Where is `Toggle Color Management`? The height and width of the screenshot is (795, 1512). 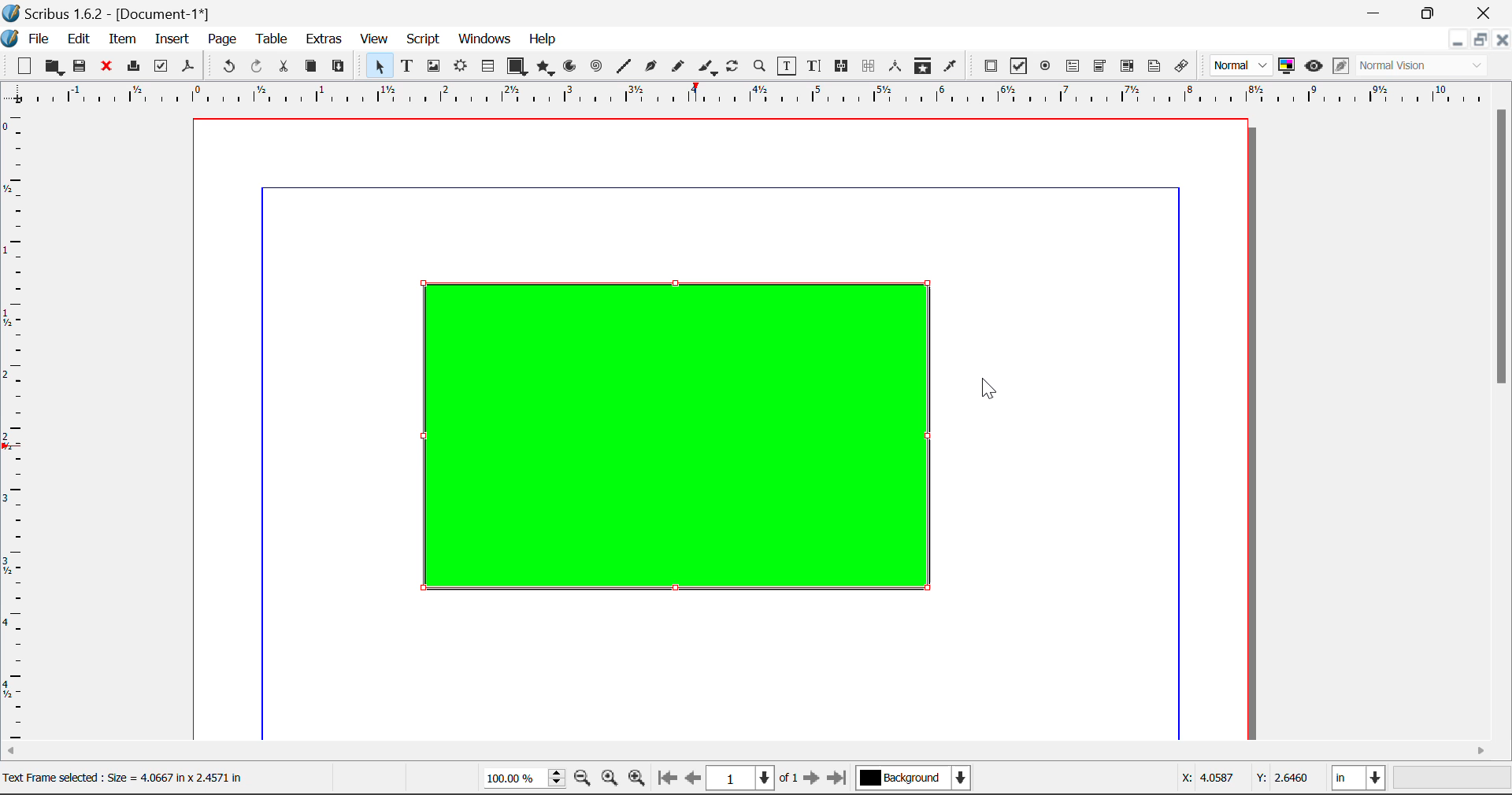
Toggle Color Management is located at coordinates (1288, 67).